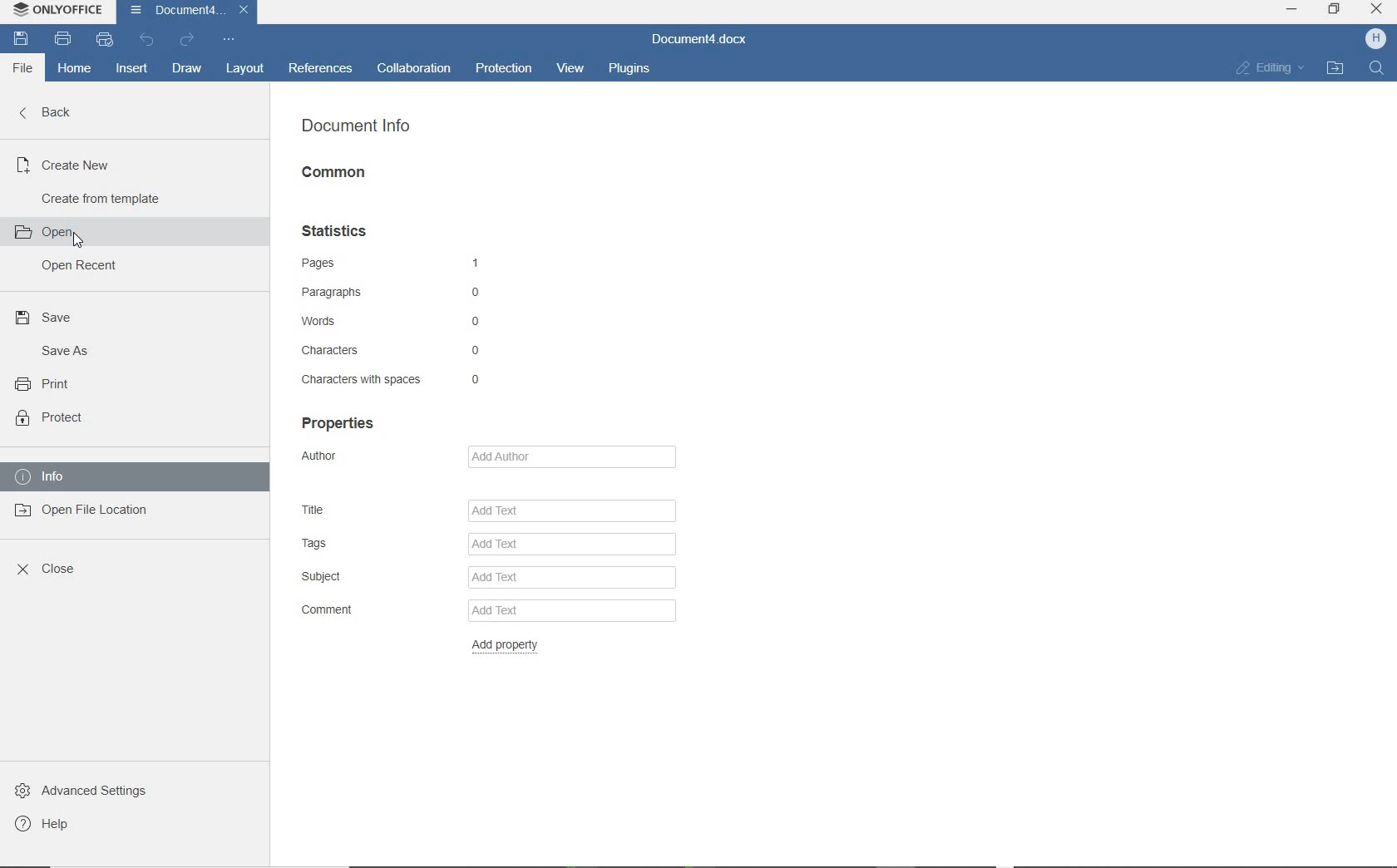  Describe the element at coordinates (77, 267) in the screenshot. I see `open recent` at that location.